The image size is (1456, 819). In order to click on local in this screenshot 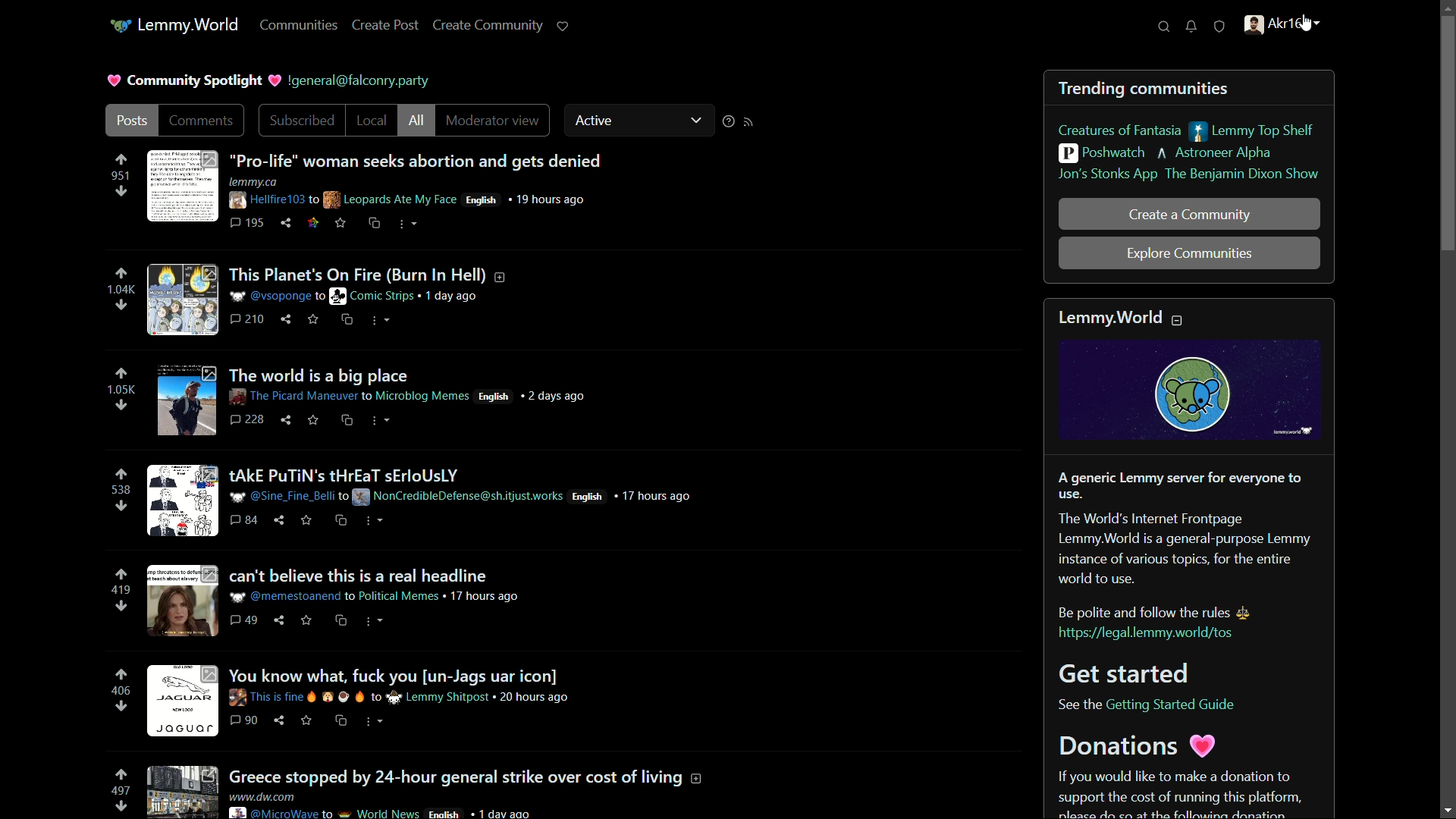, I will do `click(372, 120)`.